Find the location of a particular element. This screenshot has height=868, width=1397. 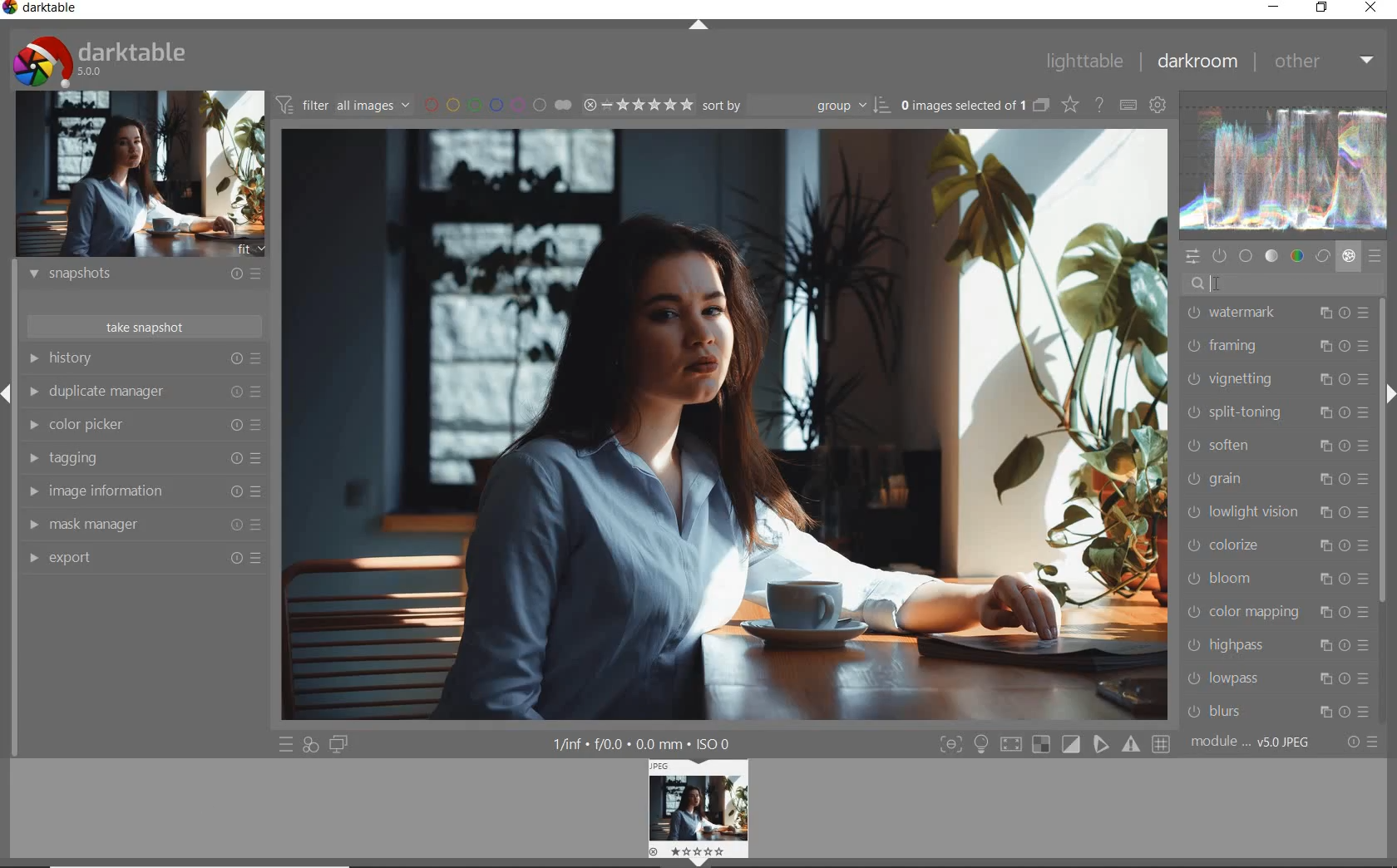

mask manager is located at coordinates (141, 523).